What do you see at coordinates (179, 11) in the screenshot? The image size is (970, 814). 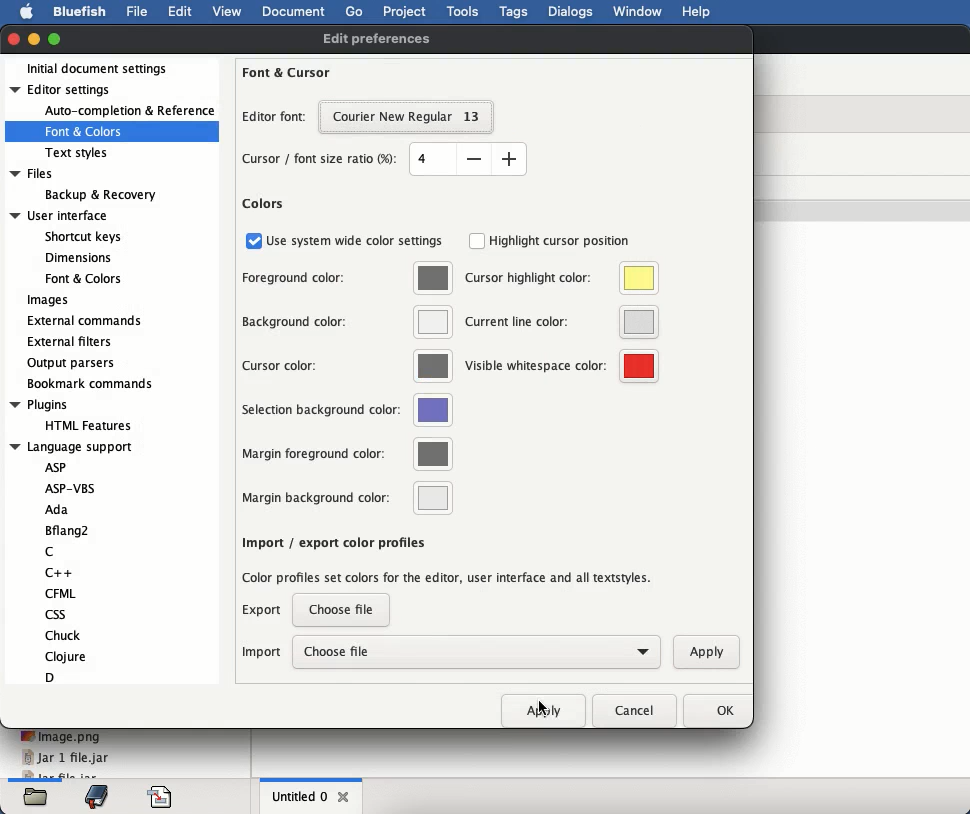 I see `edit` at bounding box center [179, 11].